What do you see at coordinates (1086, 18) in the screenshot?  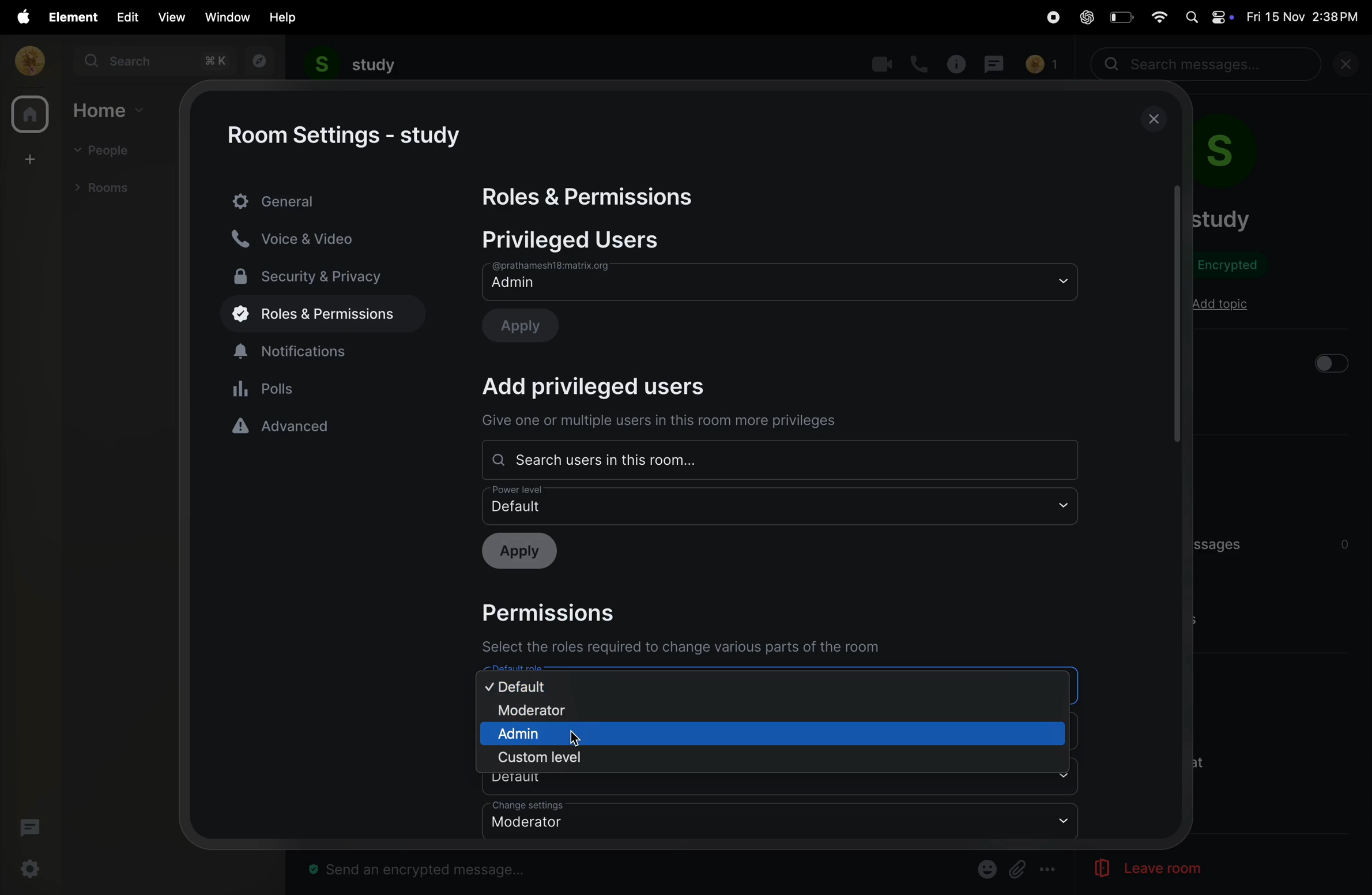 I see `chatgpt` at bounding box center [1086, 18].